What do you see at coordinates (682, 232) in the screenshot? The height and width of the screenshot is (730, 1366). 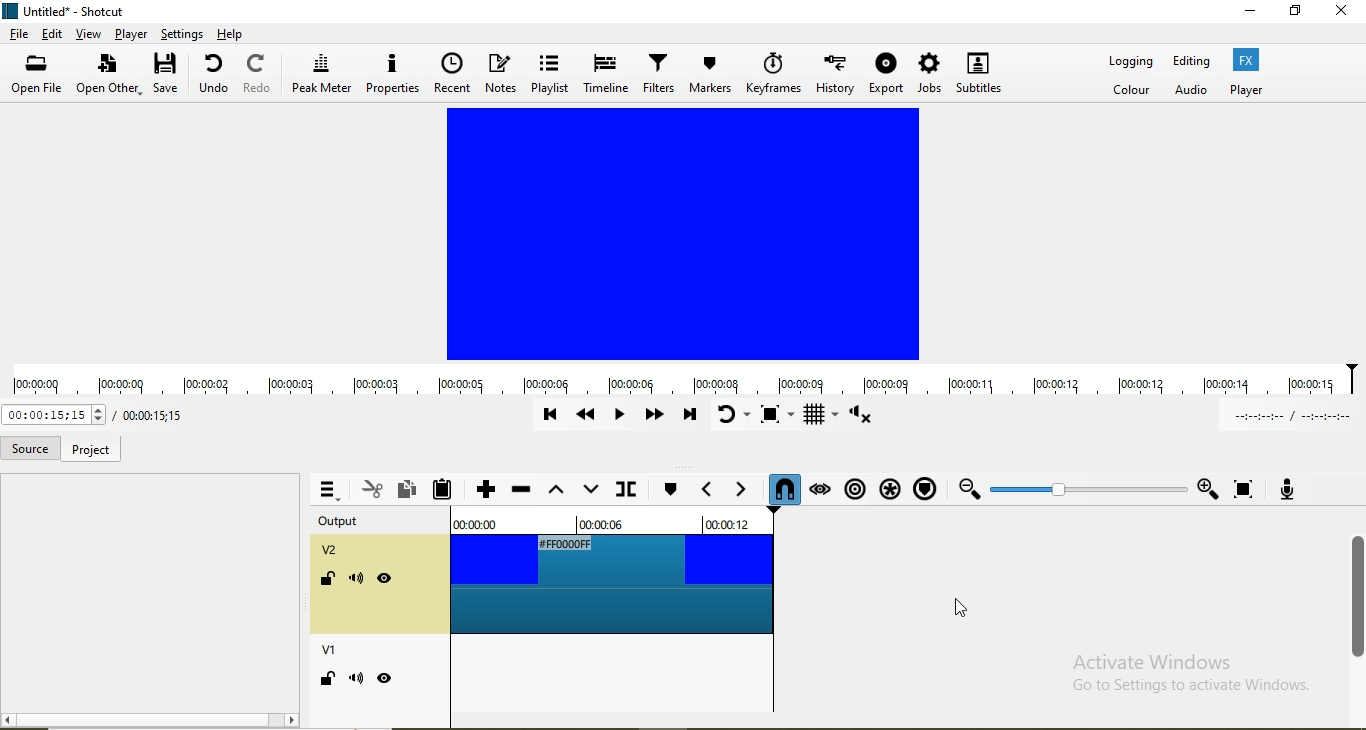 I see `video preview` at bounding box center [682, 232].